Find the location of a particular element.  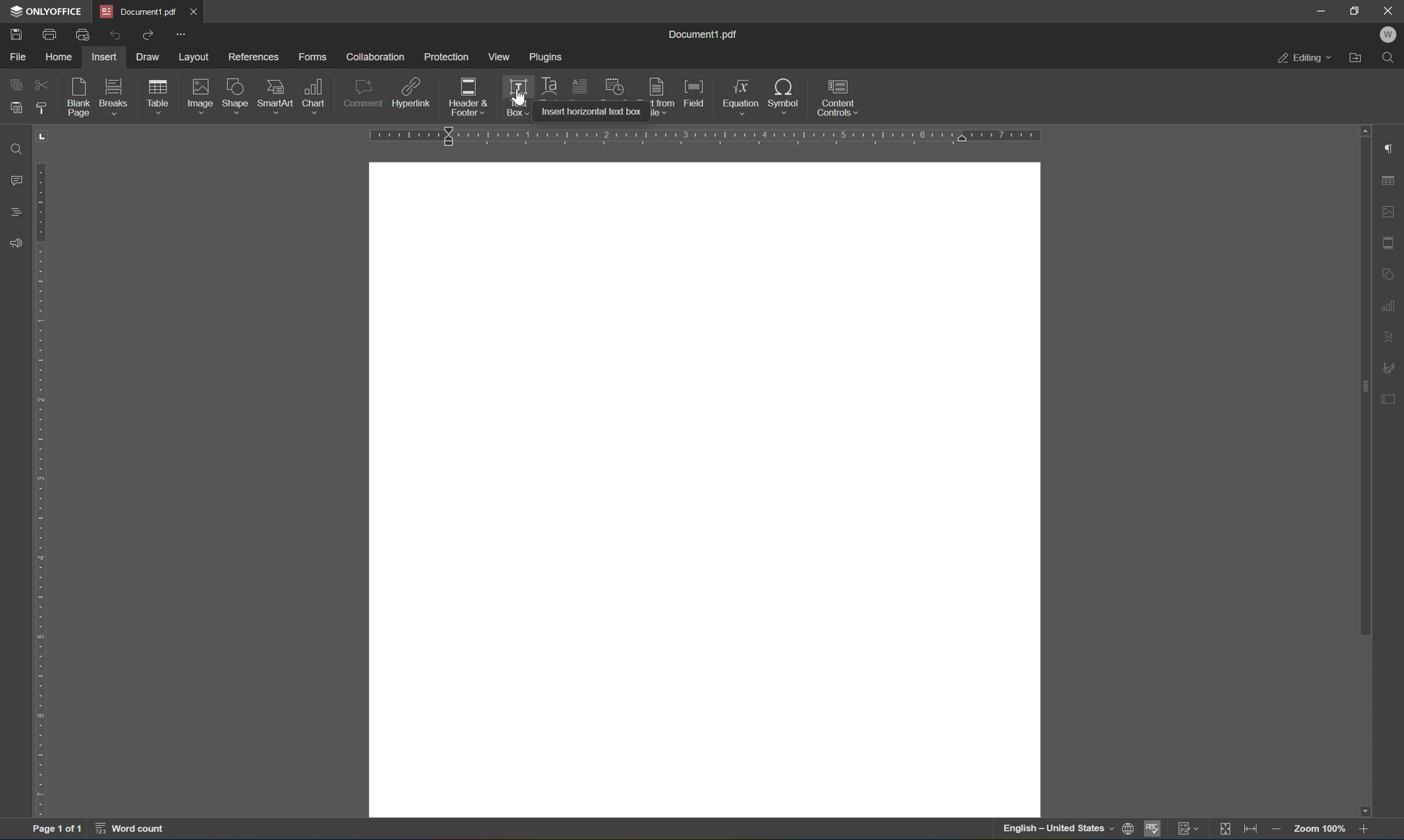

Redo is located at coordinates (145, 34).